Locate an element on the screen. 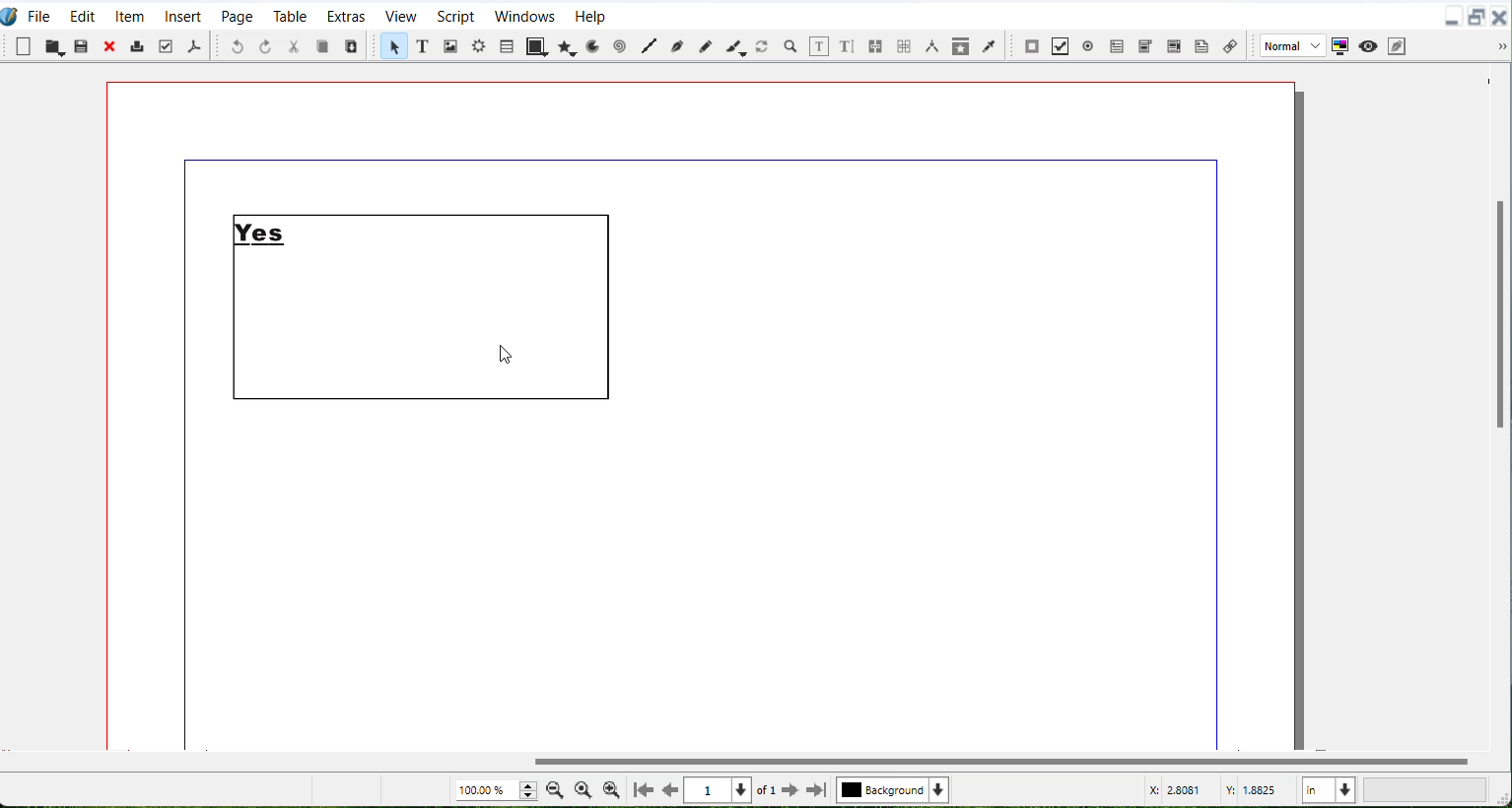 The width and height of the screenshot is (1512, 808). Table is located at coordinates (507, 45).